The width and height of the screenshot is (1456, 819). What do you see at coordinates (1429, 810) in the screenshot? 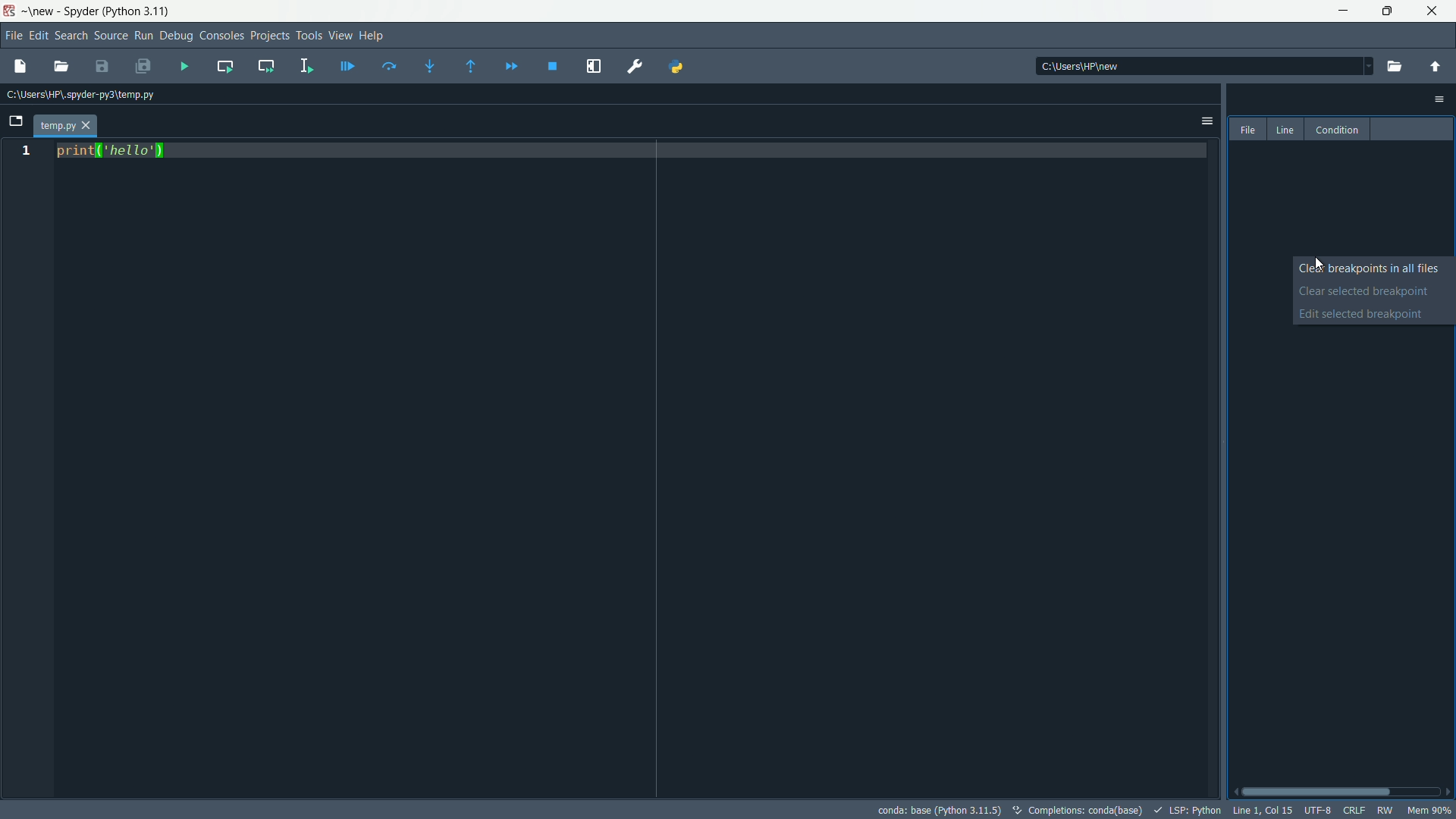
I see `memory usage` at bounding box center [1429, 810].